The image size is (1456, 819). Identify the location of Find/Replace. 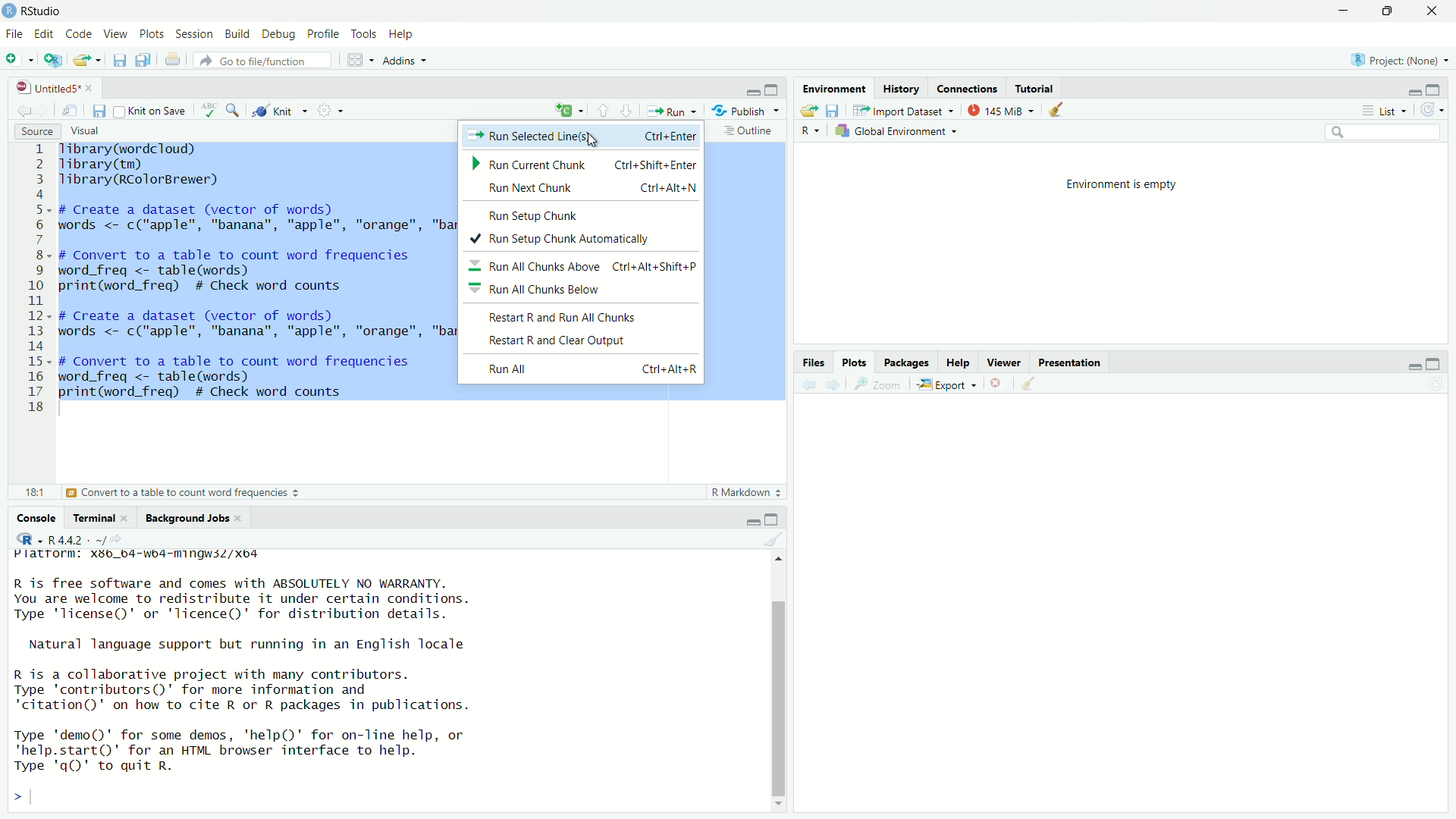
(231, 109).